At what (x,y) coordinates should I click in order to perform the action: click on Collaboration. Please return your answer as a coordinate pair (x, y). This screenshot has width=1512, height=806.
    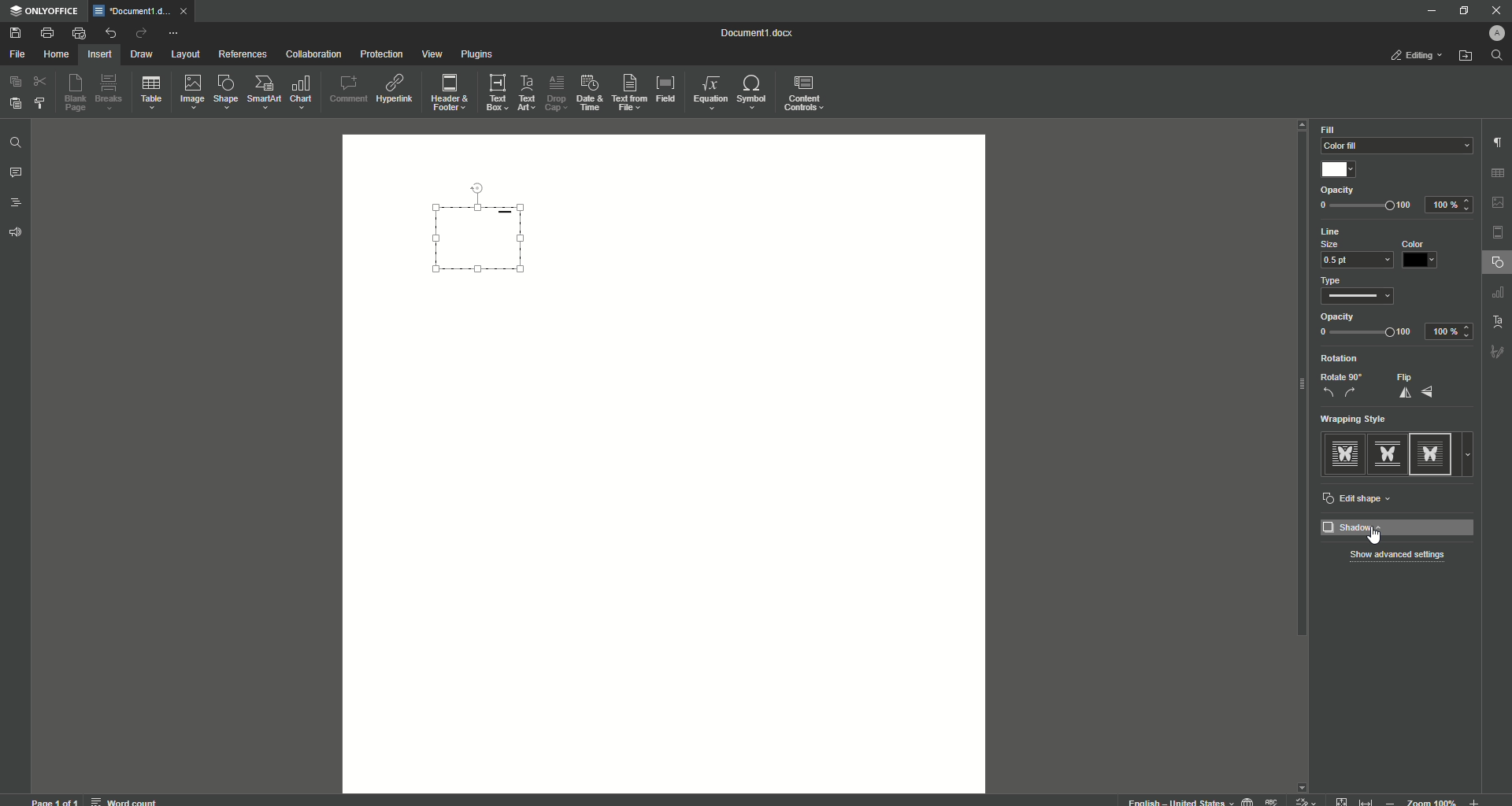
    Looking at the image, I should click on (313, 56).